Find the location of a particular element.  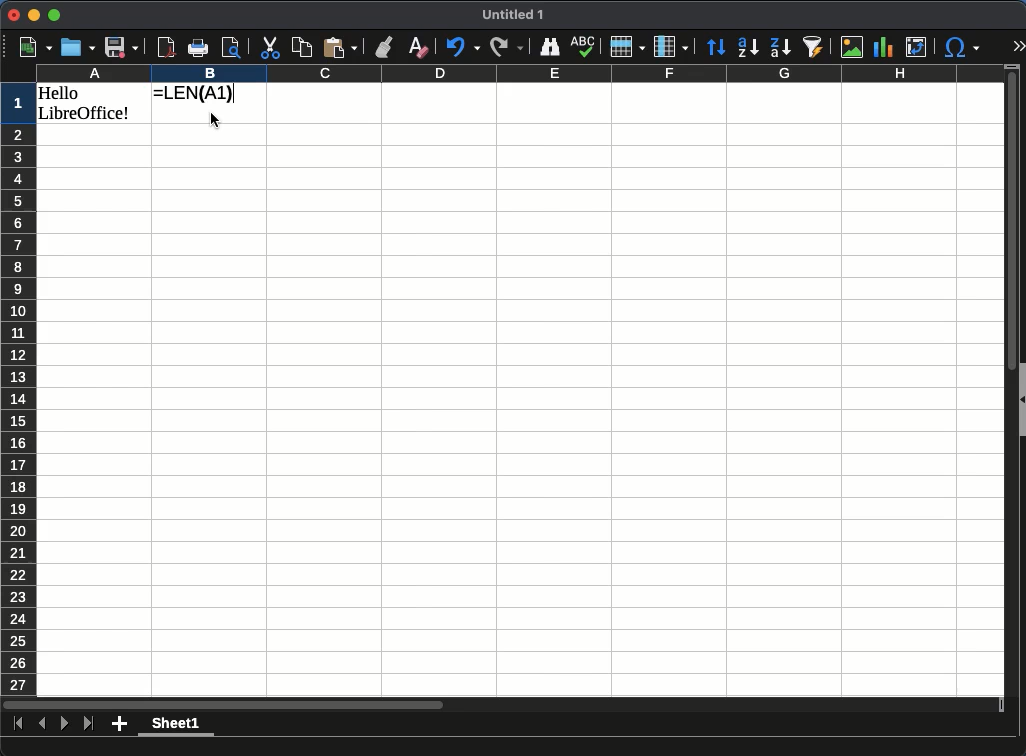

spell check is located at coordinates (583, 45).